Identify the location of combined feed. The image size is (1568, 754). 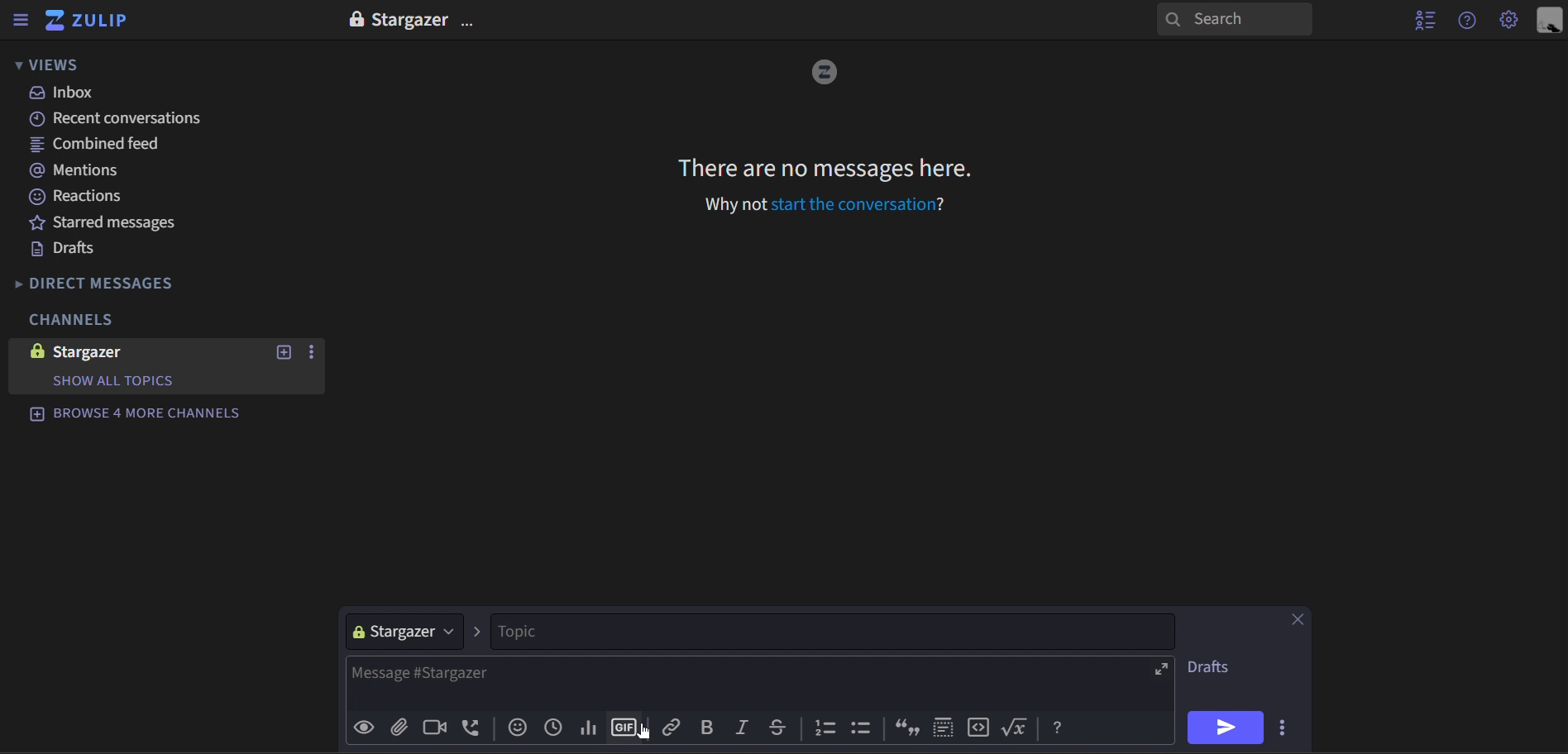
(117, 145).